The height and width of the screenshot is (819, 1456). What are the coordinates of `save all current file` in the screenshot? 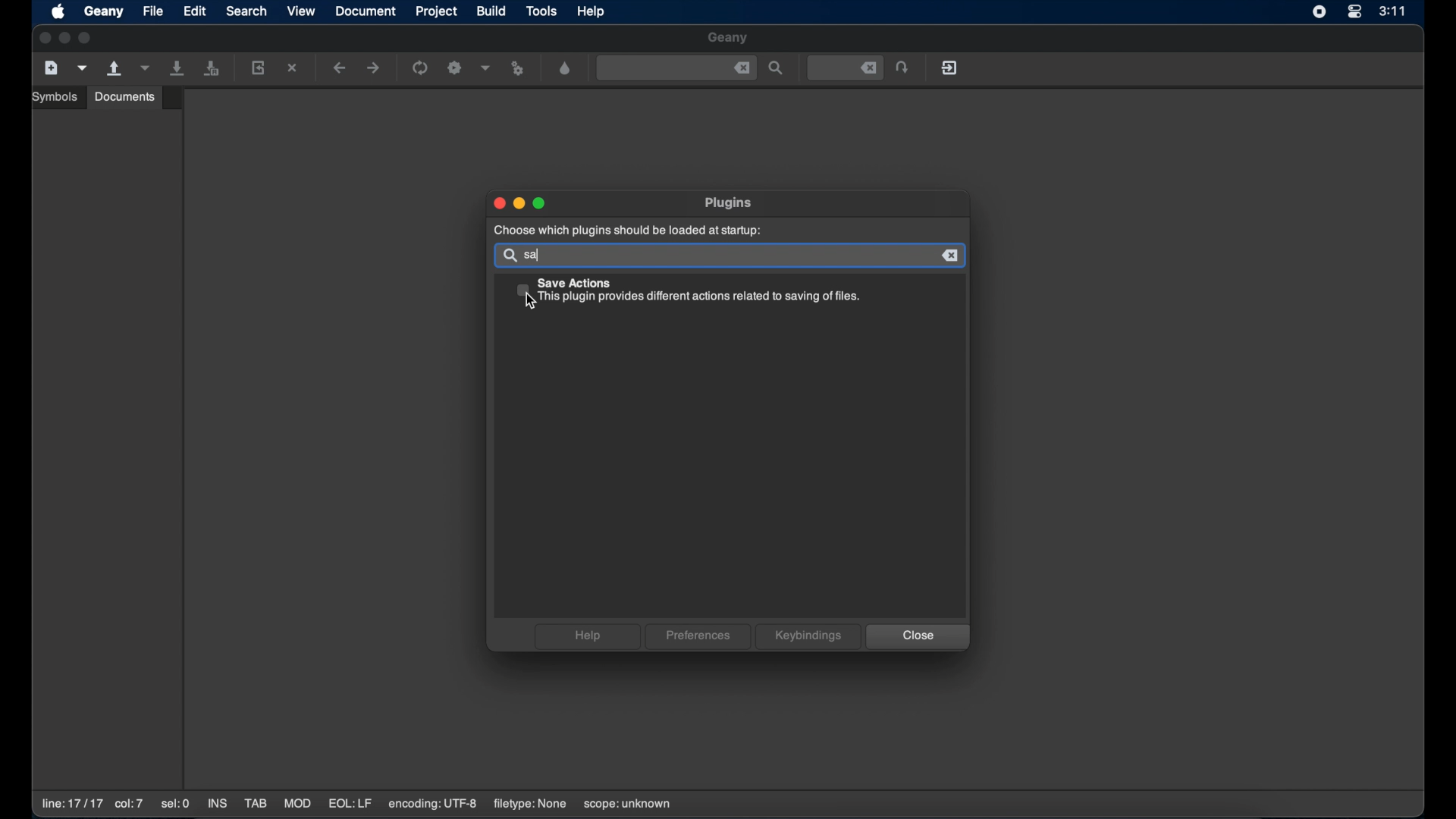 It's located at (178, 68).